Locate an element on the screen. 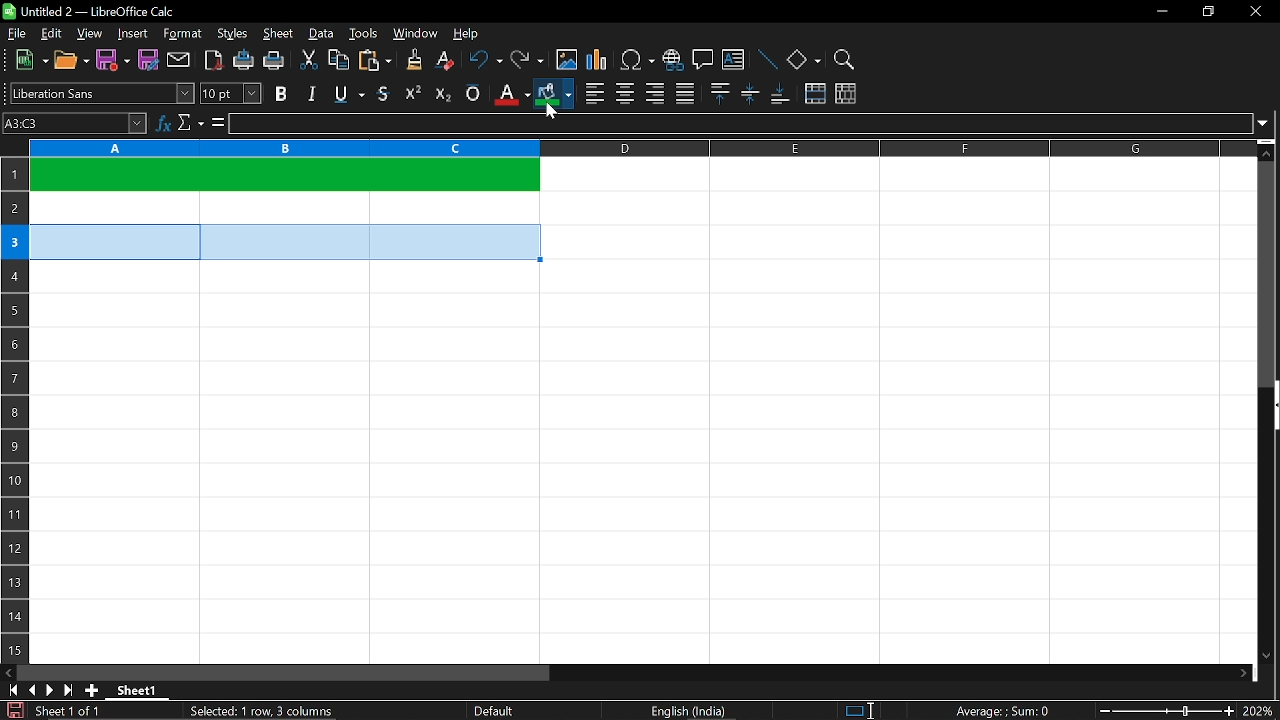 Image resolution: width=1280 pixels, height=720 pixels. move left is located at coordinates (8, 673).